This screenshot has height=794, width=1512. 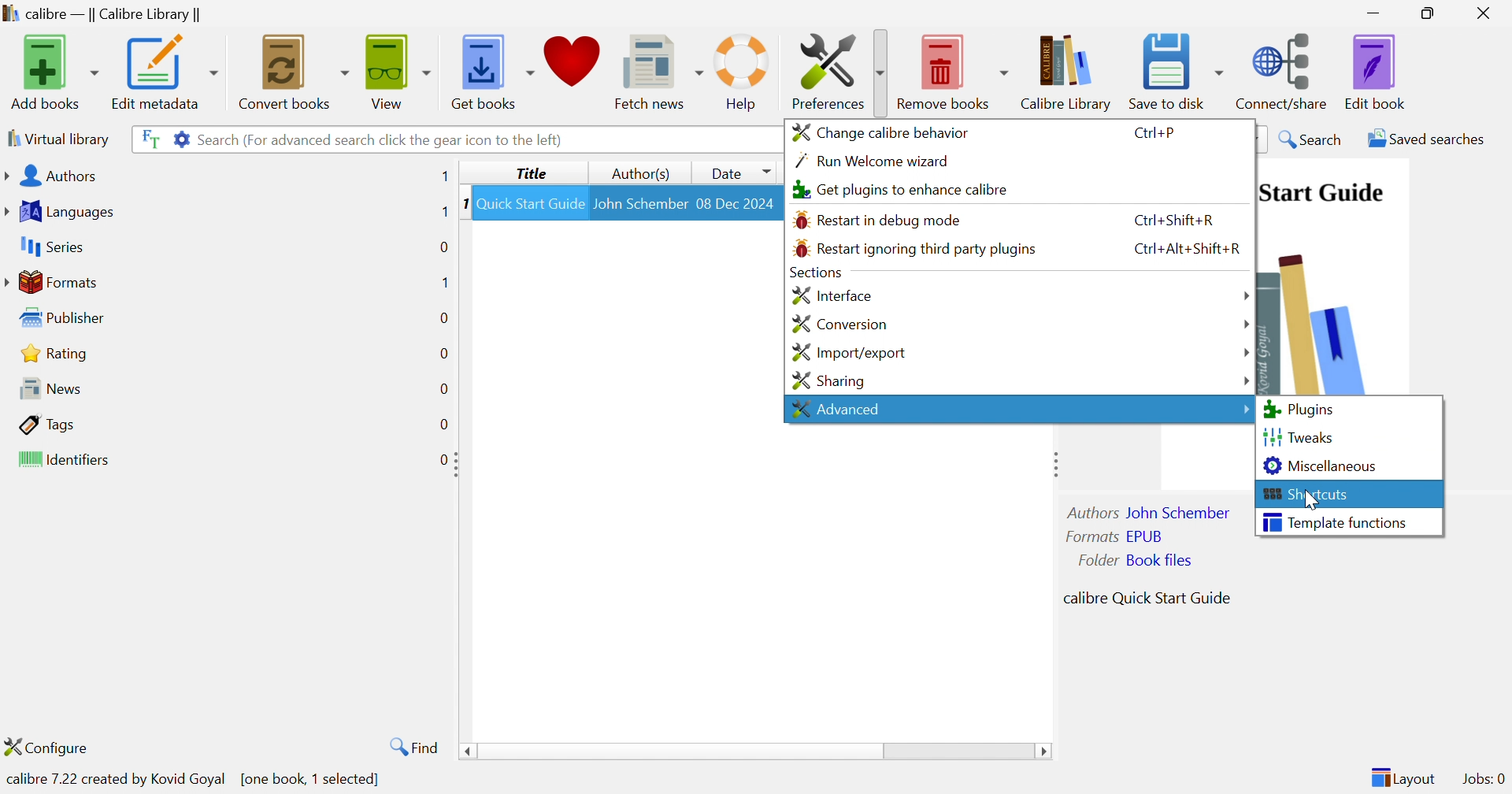 I want to click on John Schember, so click(x=640, y=202).